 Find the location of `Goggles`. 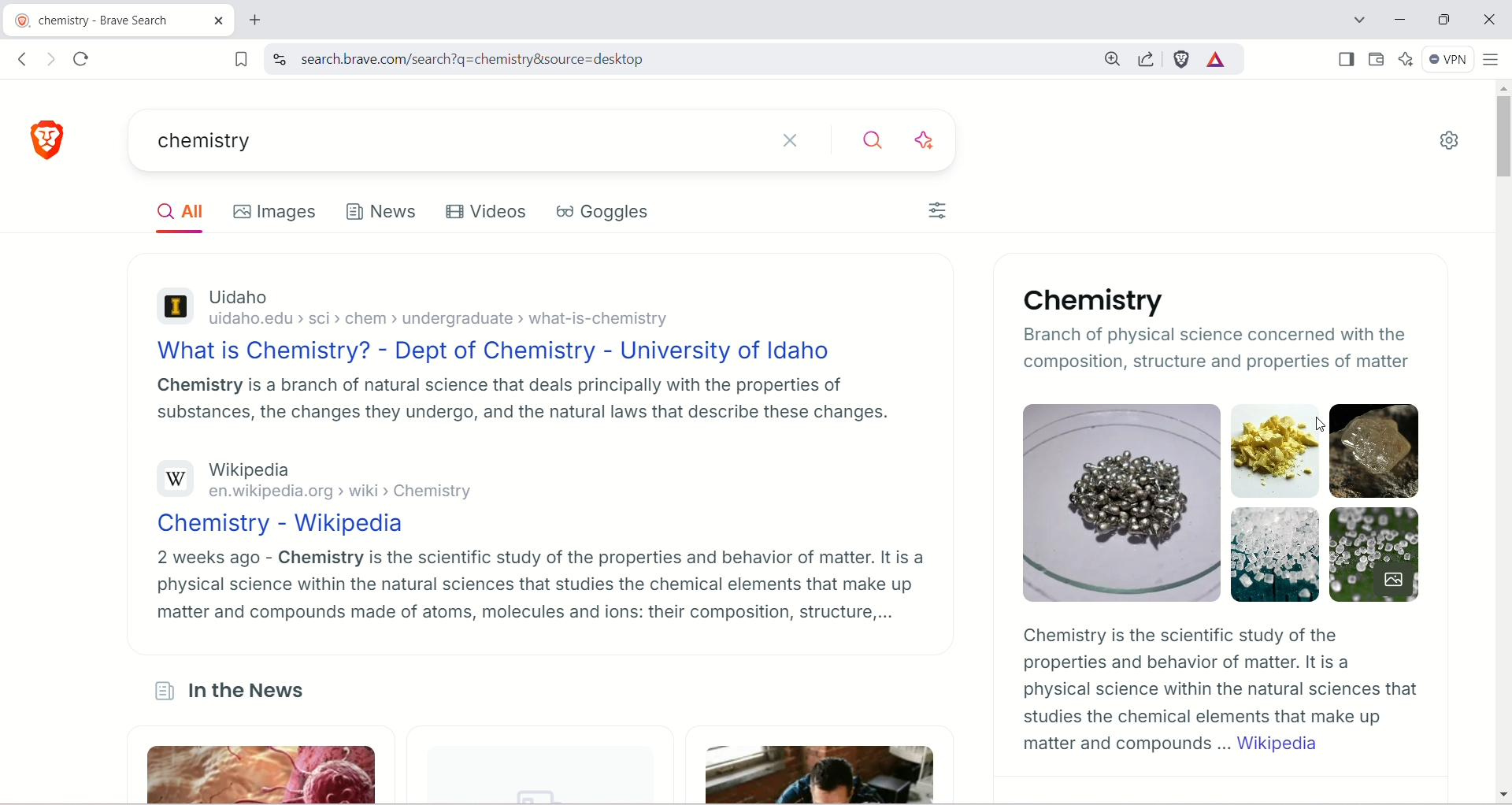

Goggles is located at coordinates (599, 211).